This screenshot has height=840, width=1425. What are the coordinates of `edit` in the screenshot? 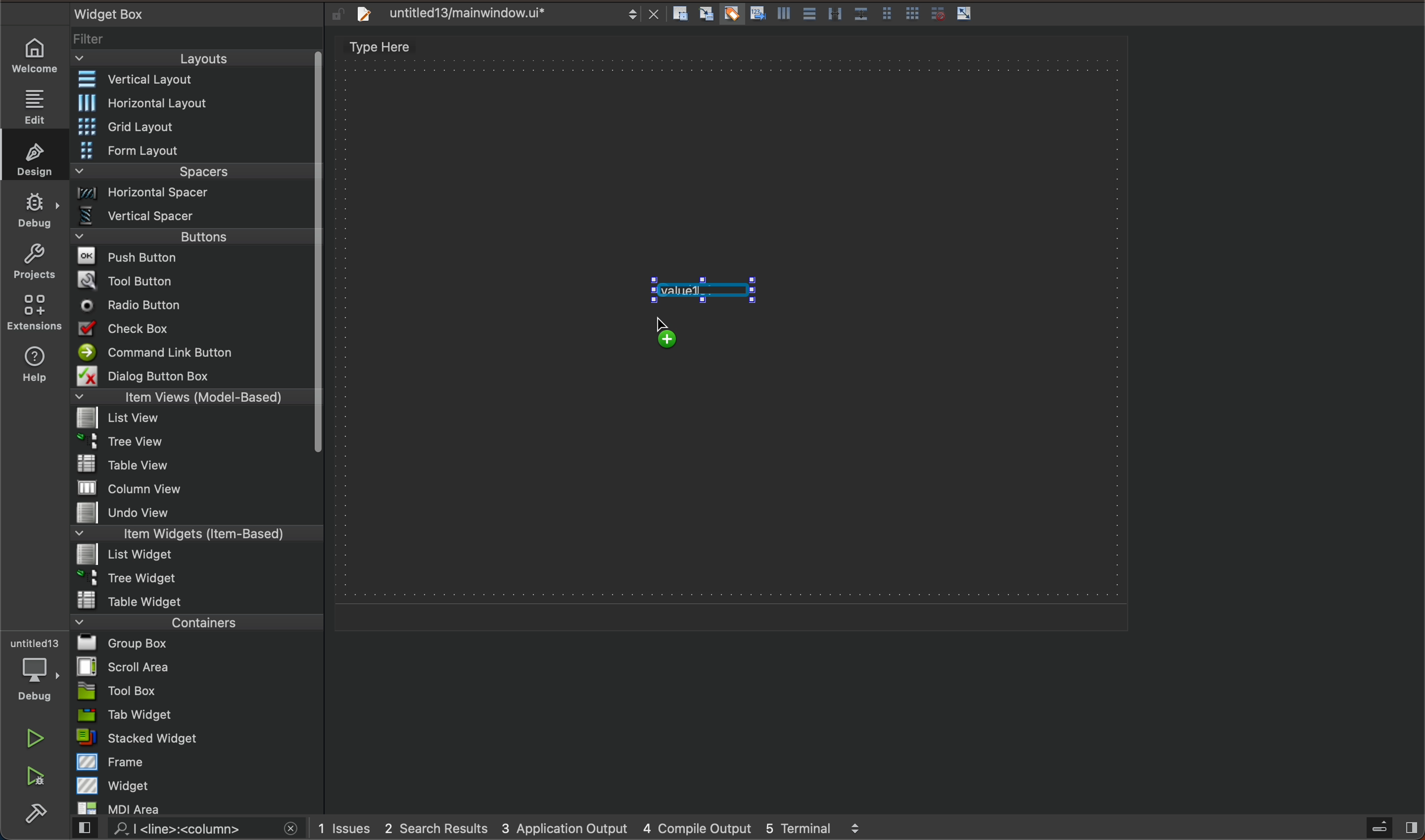 It's located at (40, 102).